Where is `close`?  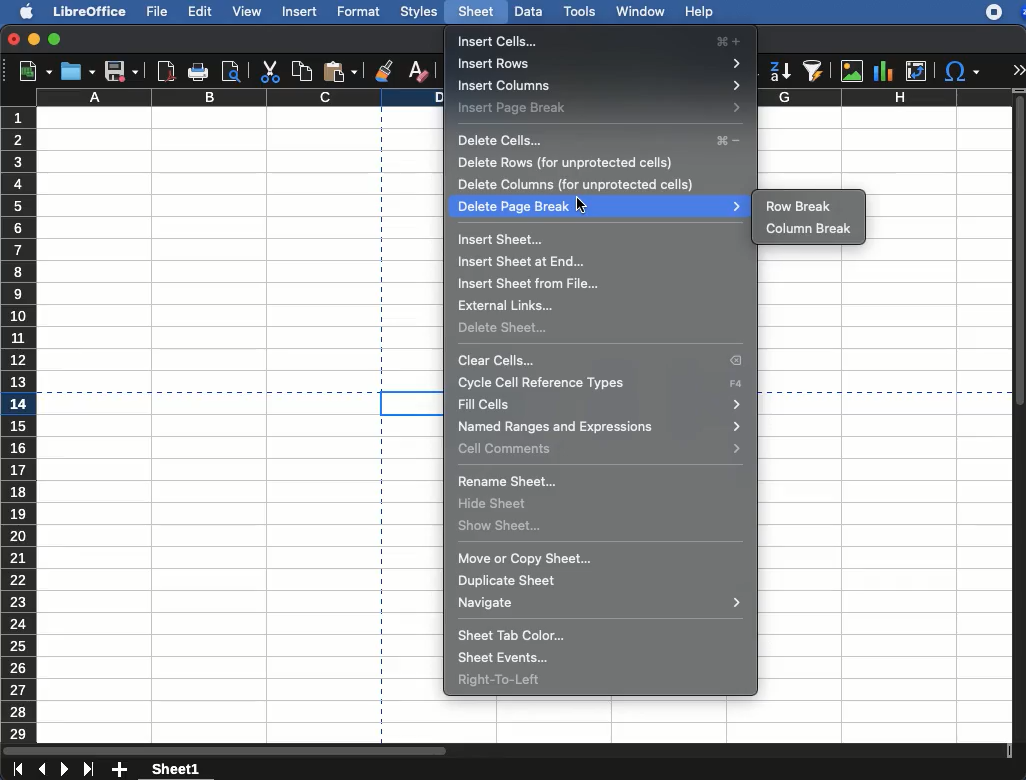 close is located at coordinates (13, 39).